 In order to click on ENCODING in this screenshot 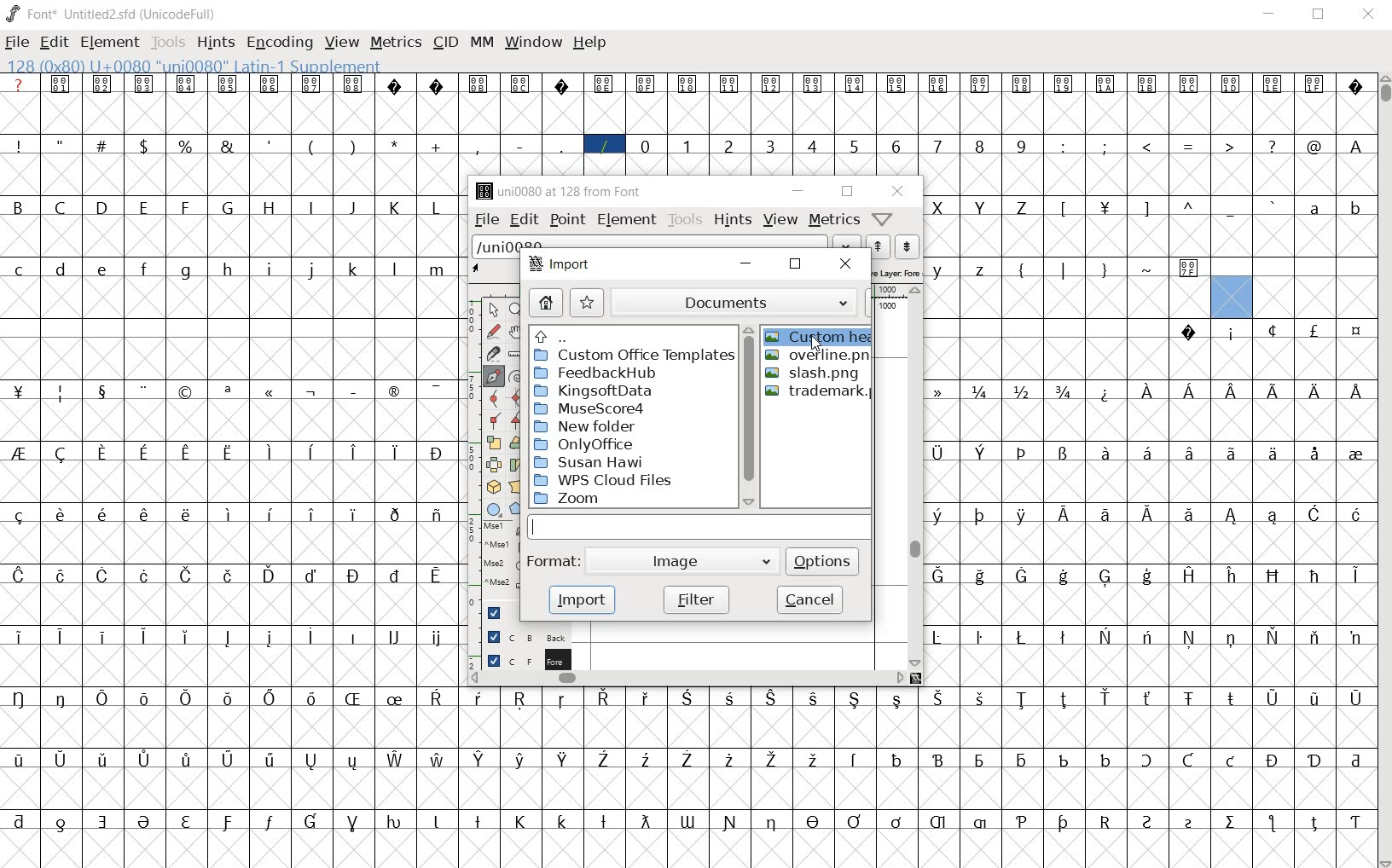, I will do `click(278, 42)`.